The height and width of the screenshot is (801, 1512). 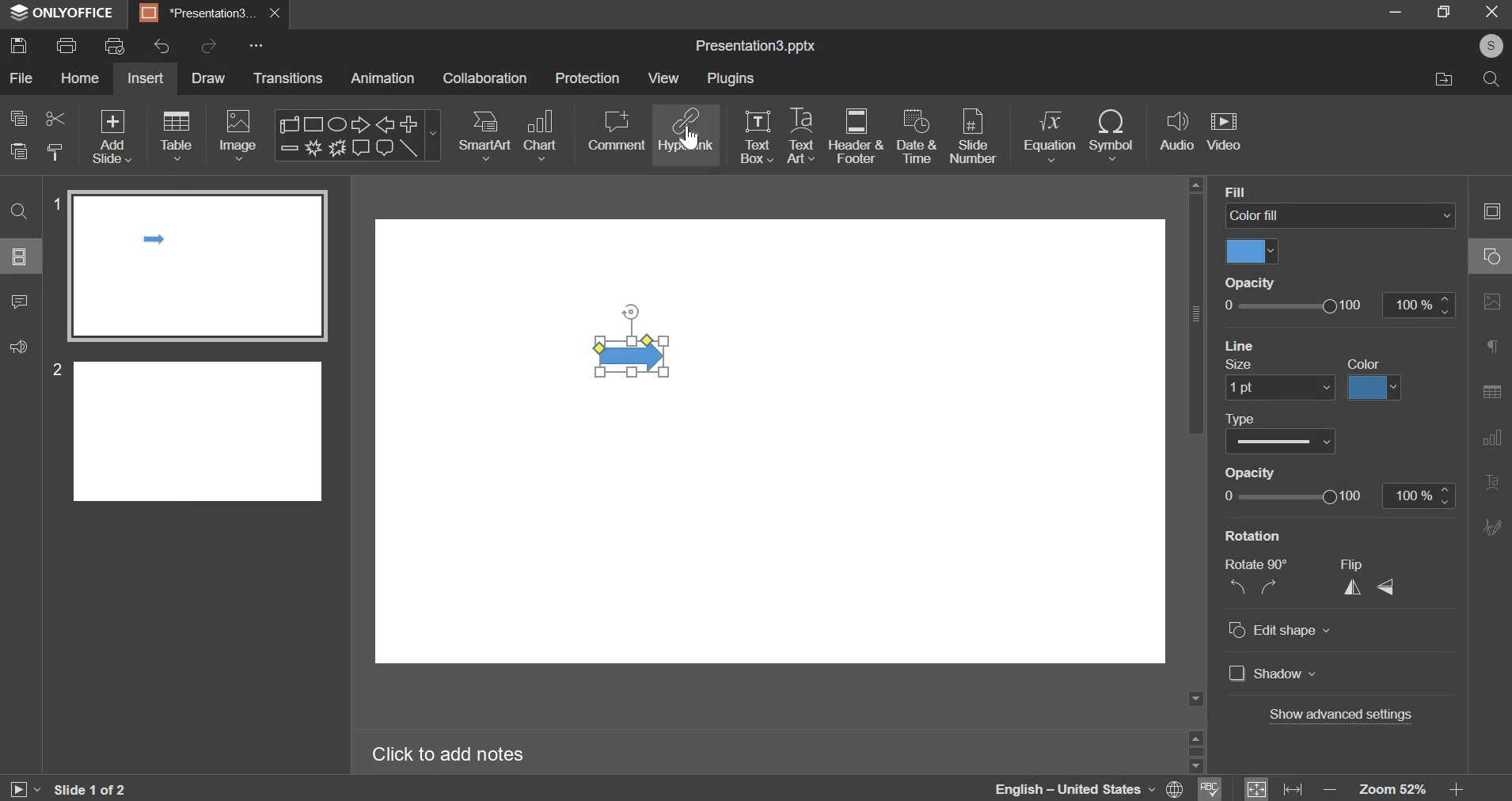 I want to click on slide number, so click(x=54, y=202).